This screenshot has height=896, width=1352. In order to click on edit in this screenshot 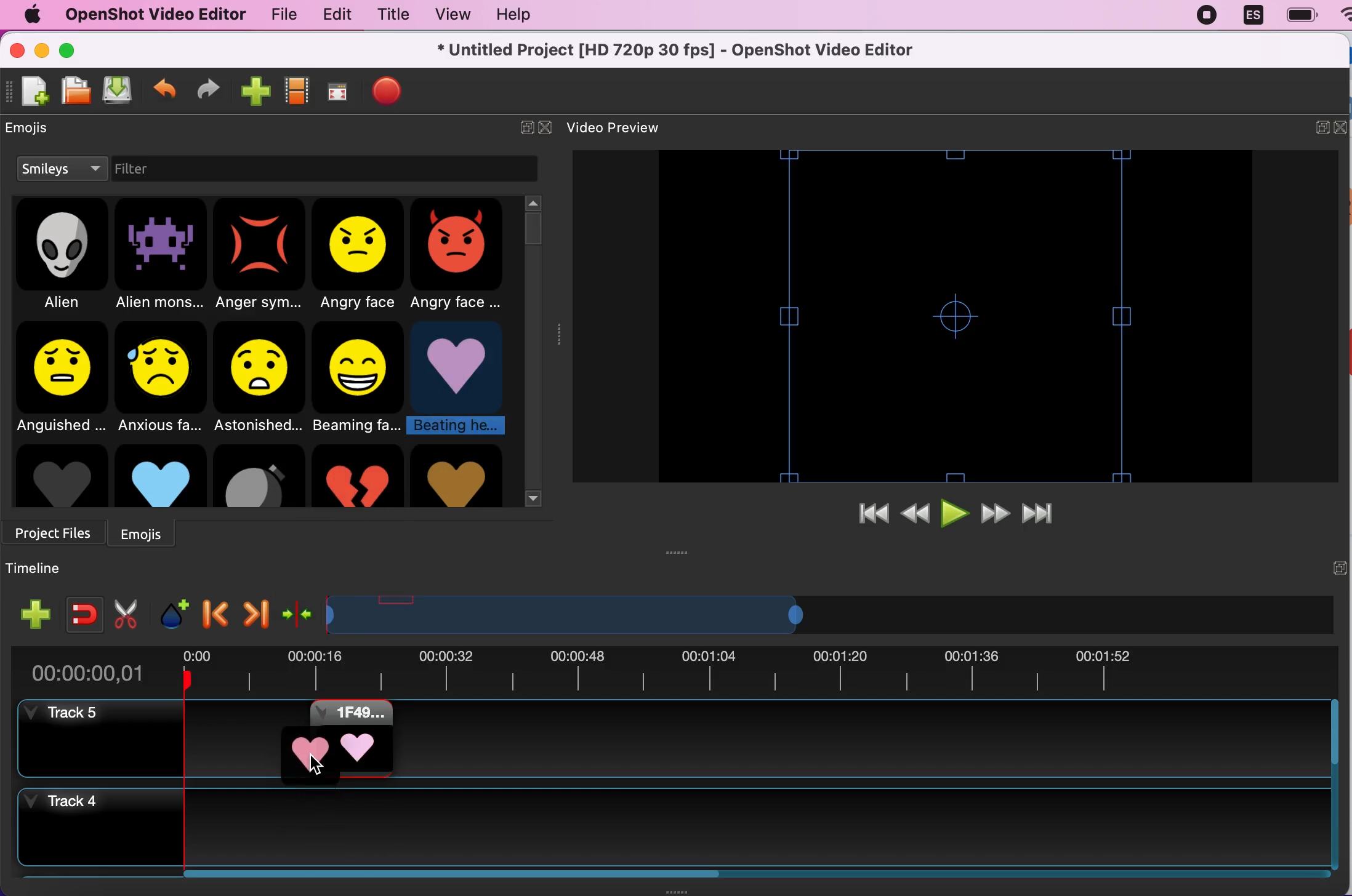, I will do `click(332, 14)`.